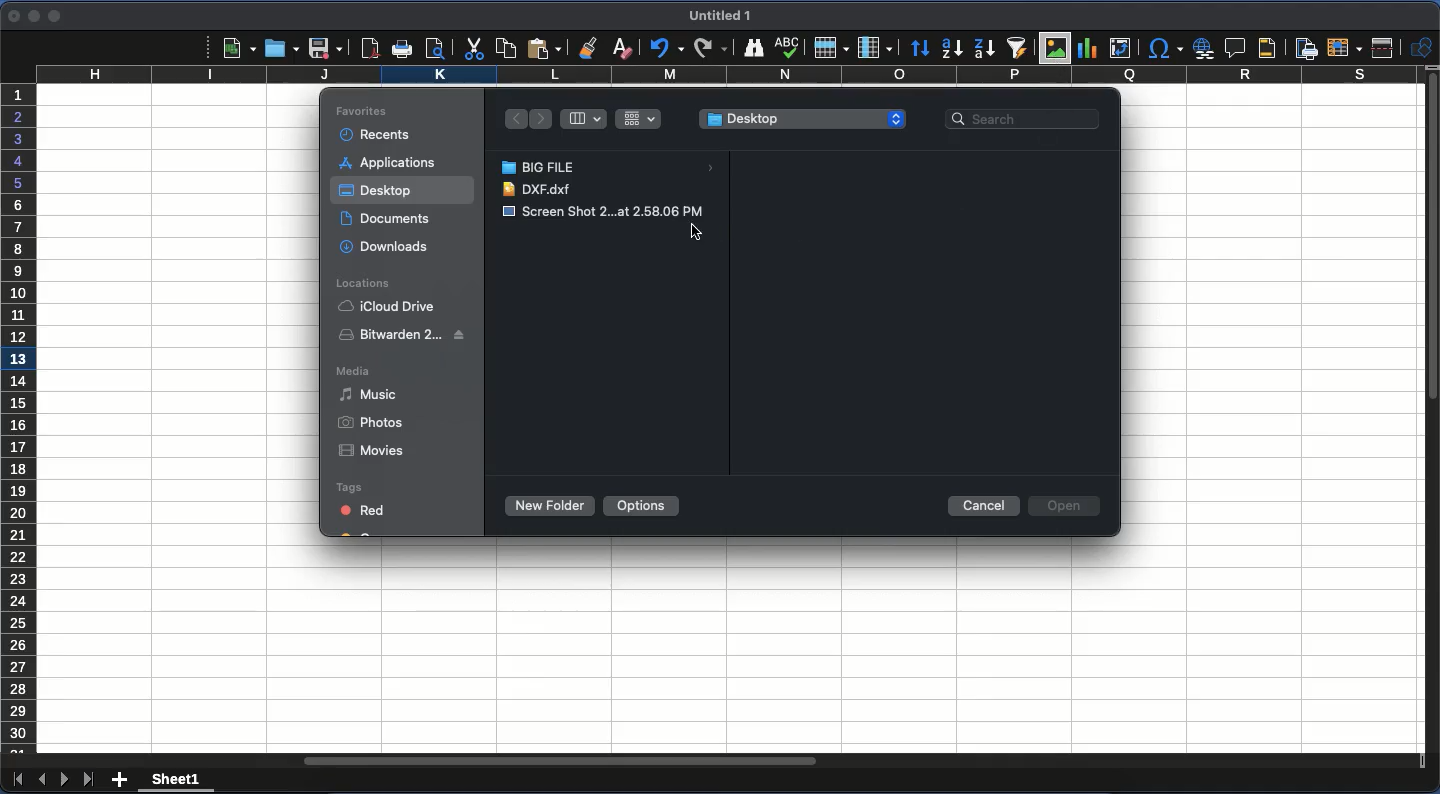 Image resolution: width=1440 pixels, height=794 pixels. I want to click on vertical scroll bar, so click(1431, 239).